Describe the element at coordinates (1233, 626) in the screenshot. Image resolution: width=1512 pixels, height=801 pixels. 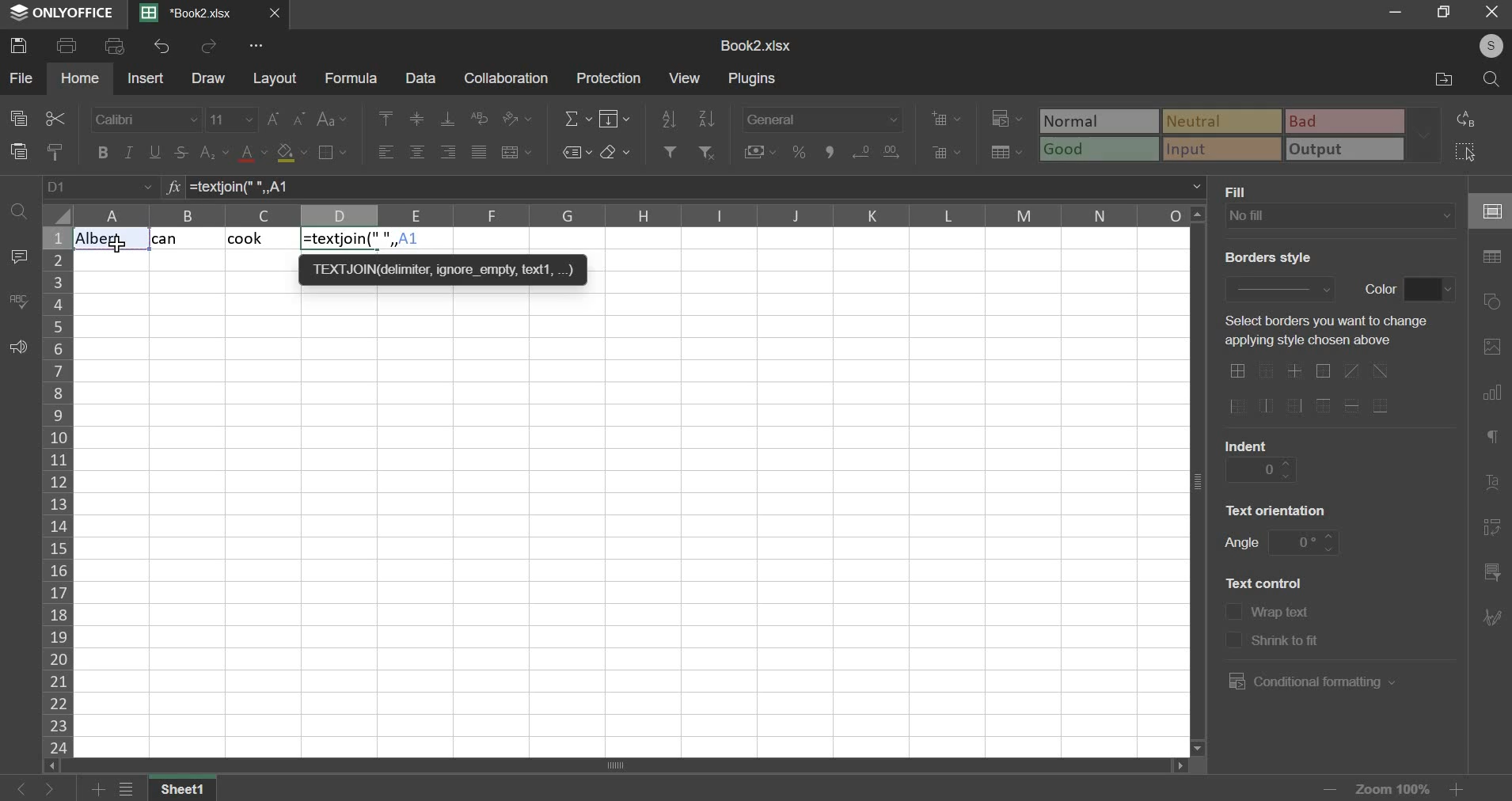
I see `text control` at that location.